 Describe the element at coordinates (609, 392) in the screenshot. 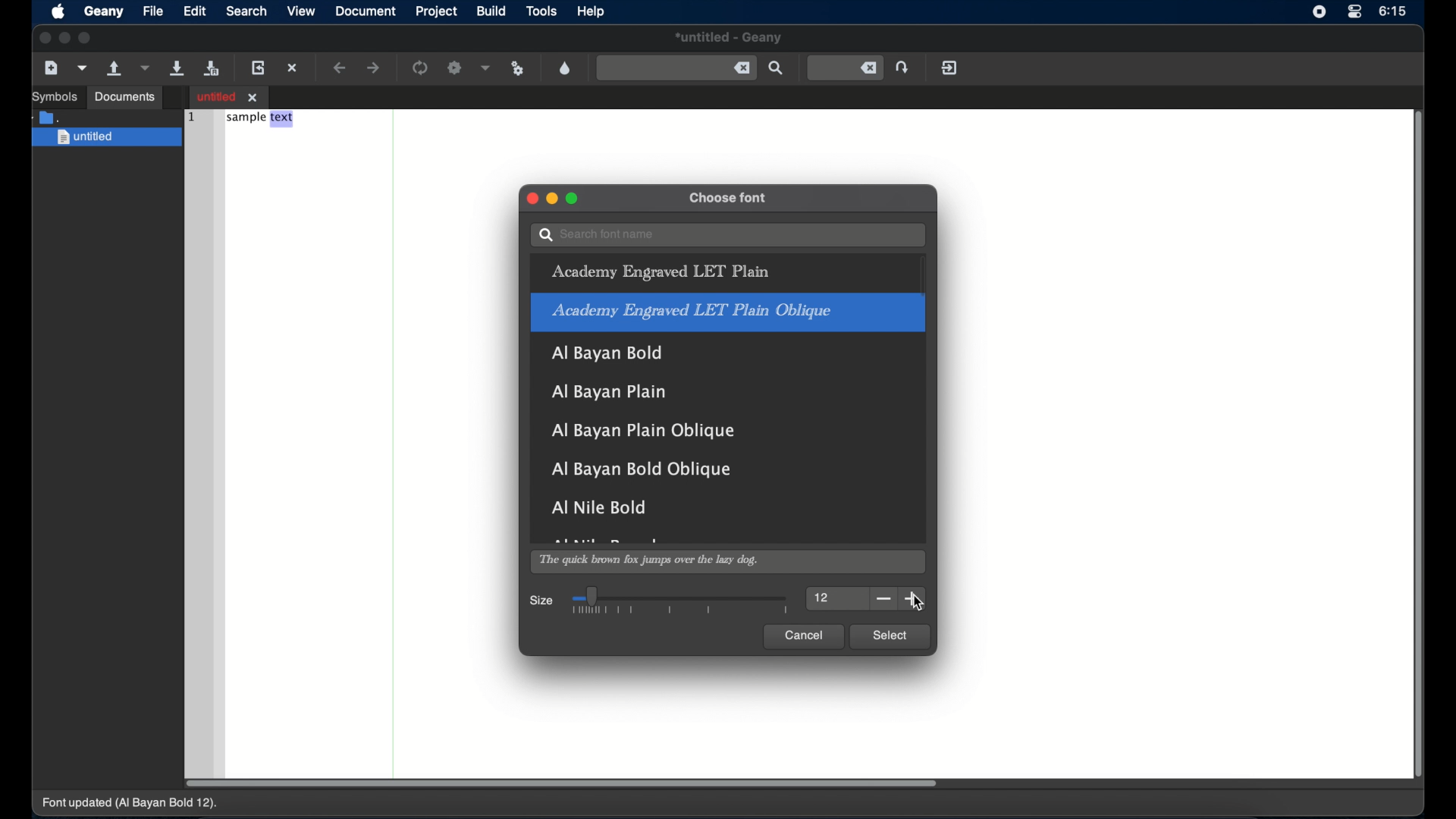

I see `al bayan plain` at that location.